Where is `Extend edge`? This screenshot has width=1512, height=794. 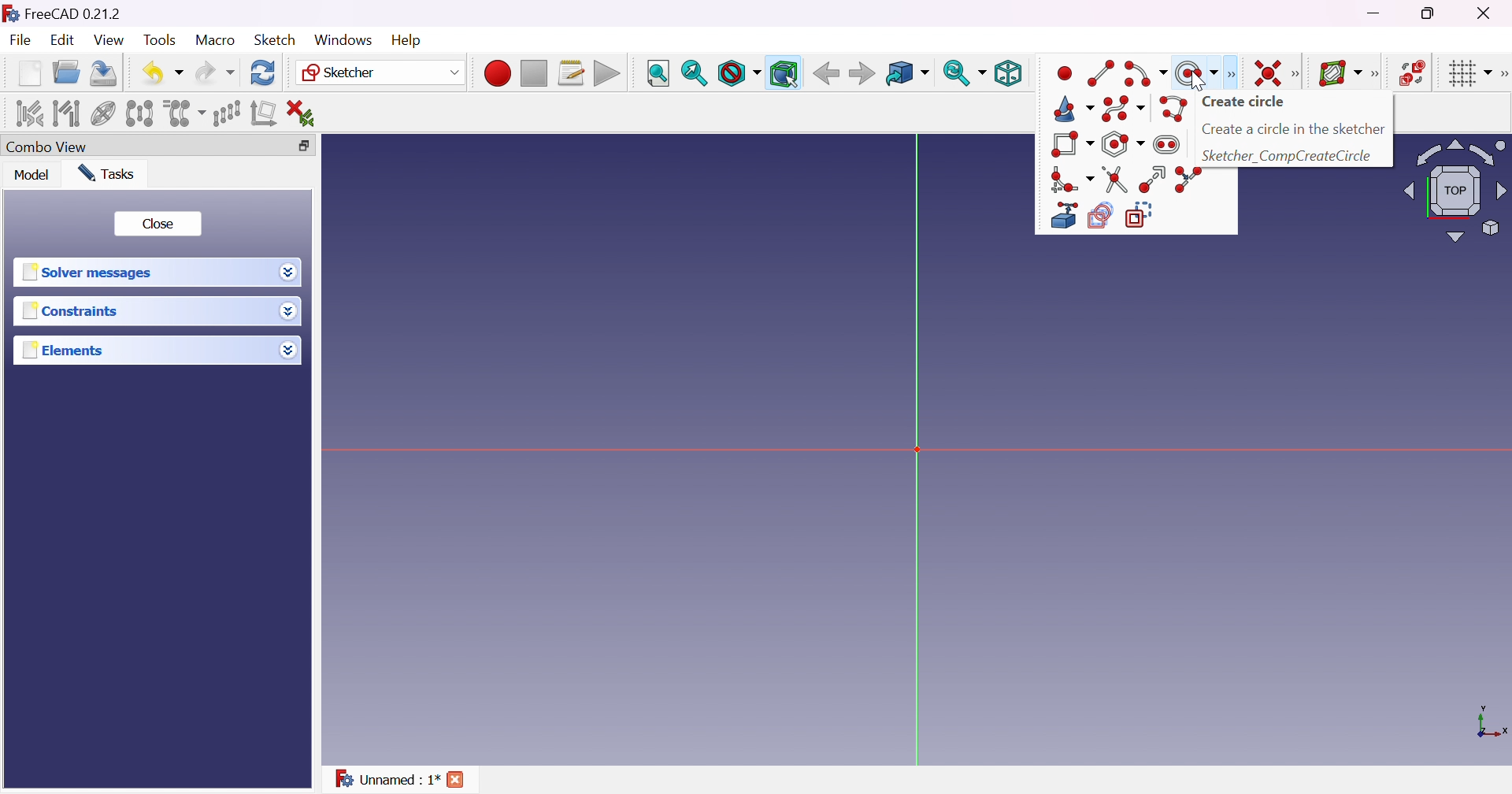
Extend edge is located at coordinates (1151, 180).